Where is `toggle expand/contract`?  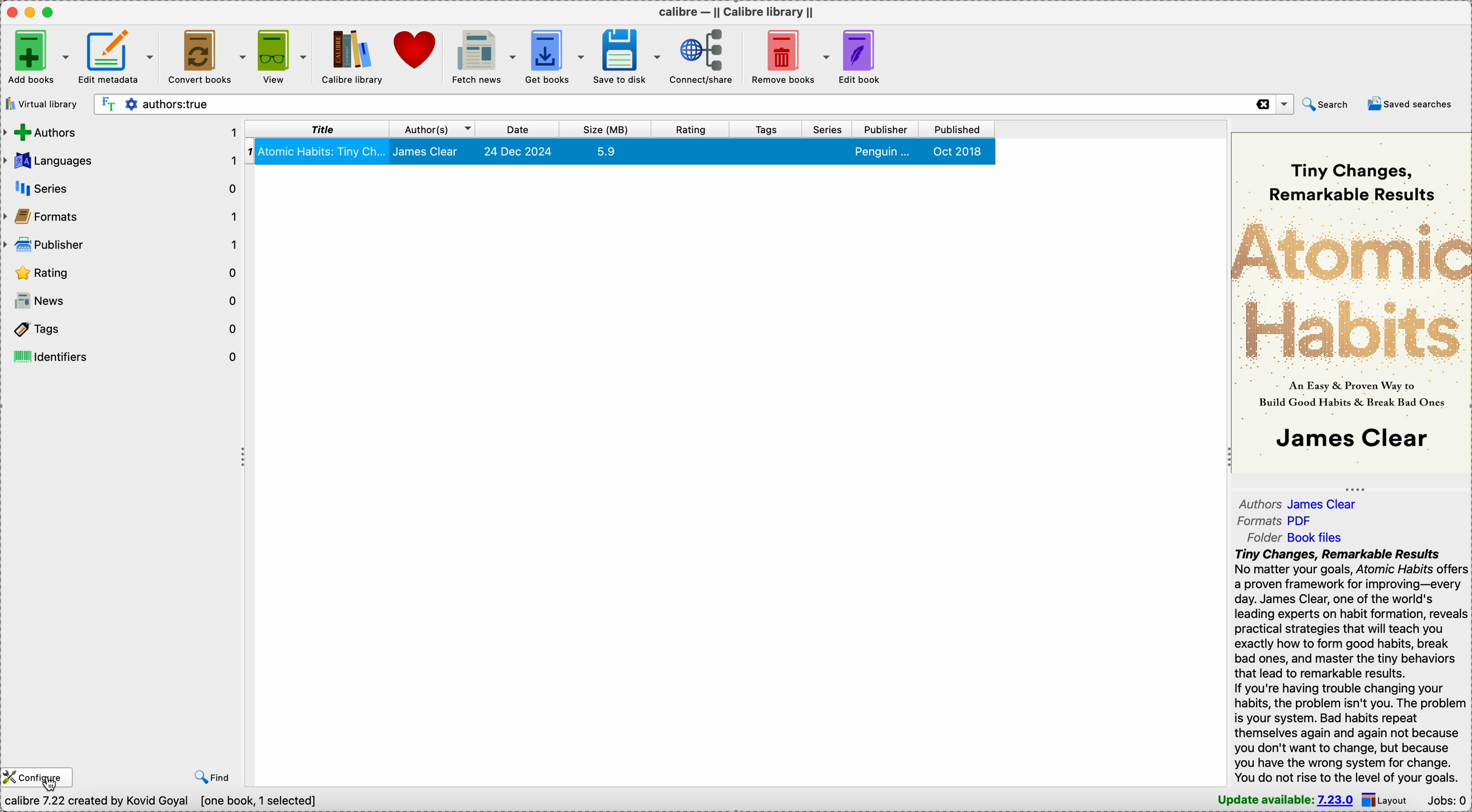 toggle expand/contract is located at coordinates (1227, 455).